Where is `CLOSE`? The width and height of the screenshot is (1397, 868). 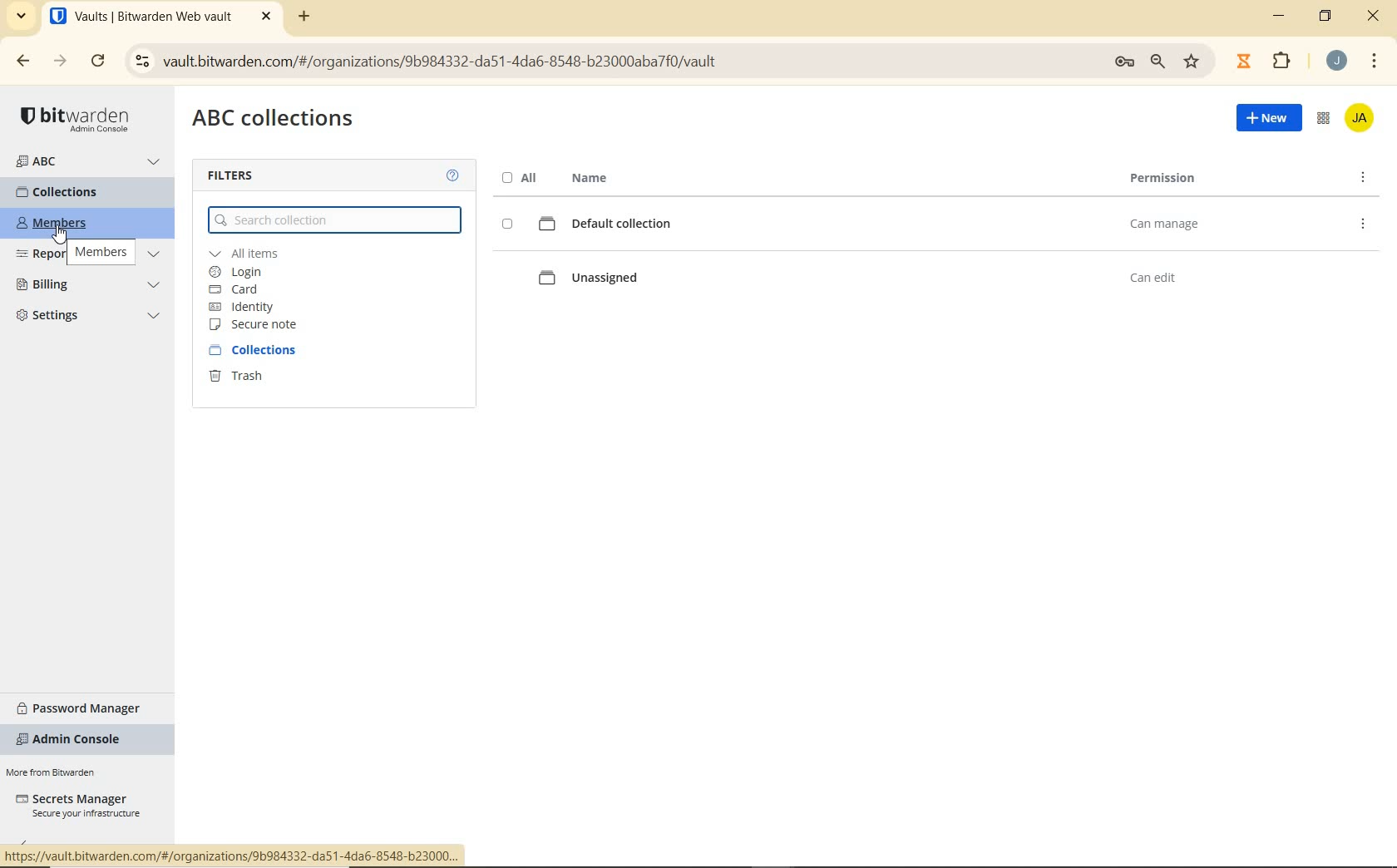
CLOSE is located at coordinates (1374, 16).